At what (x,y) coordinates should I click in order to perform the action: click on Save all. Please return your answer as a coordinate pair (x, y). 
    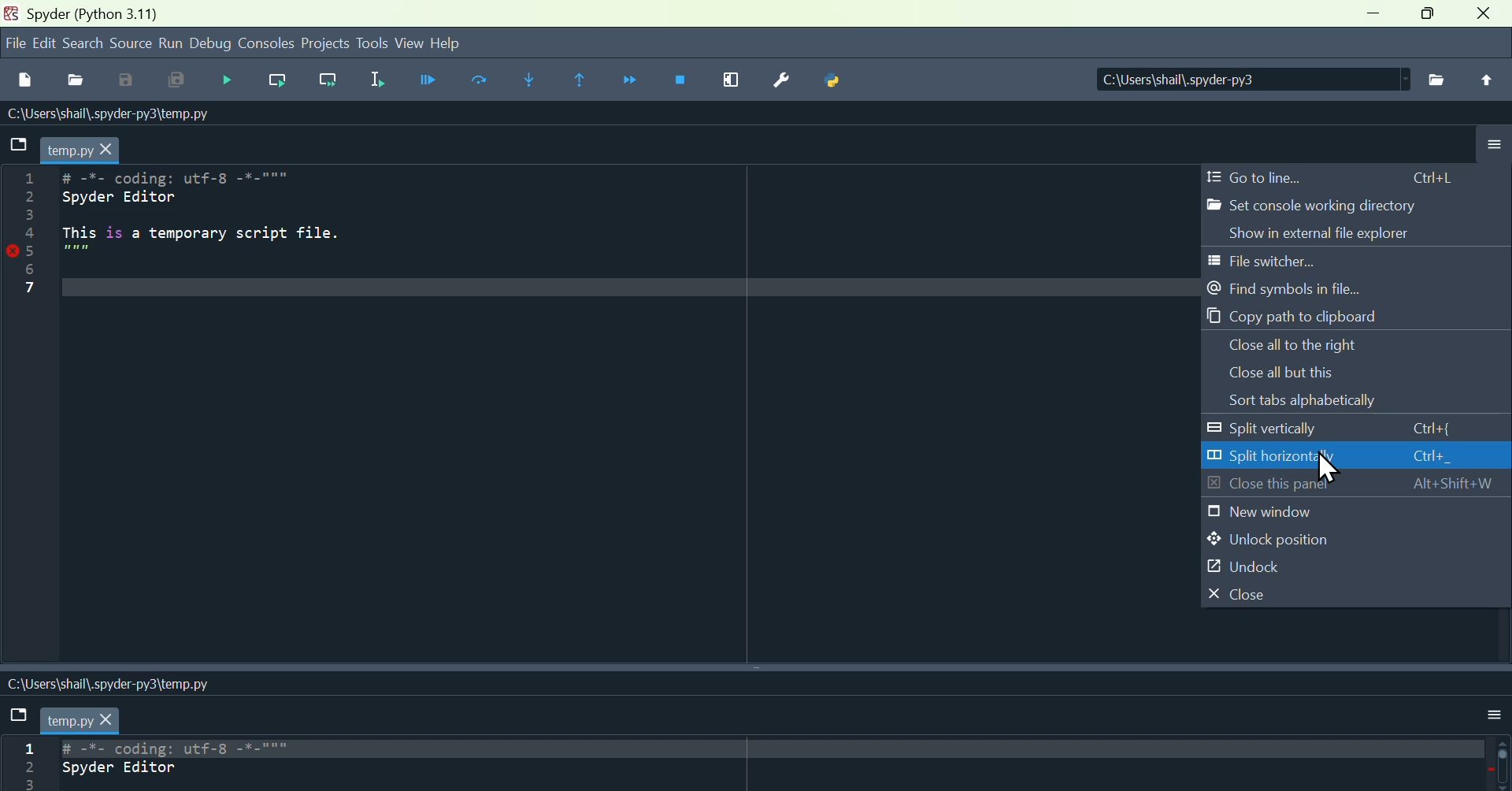
    Looking at the image, I should click on (184, 84).